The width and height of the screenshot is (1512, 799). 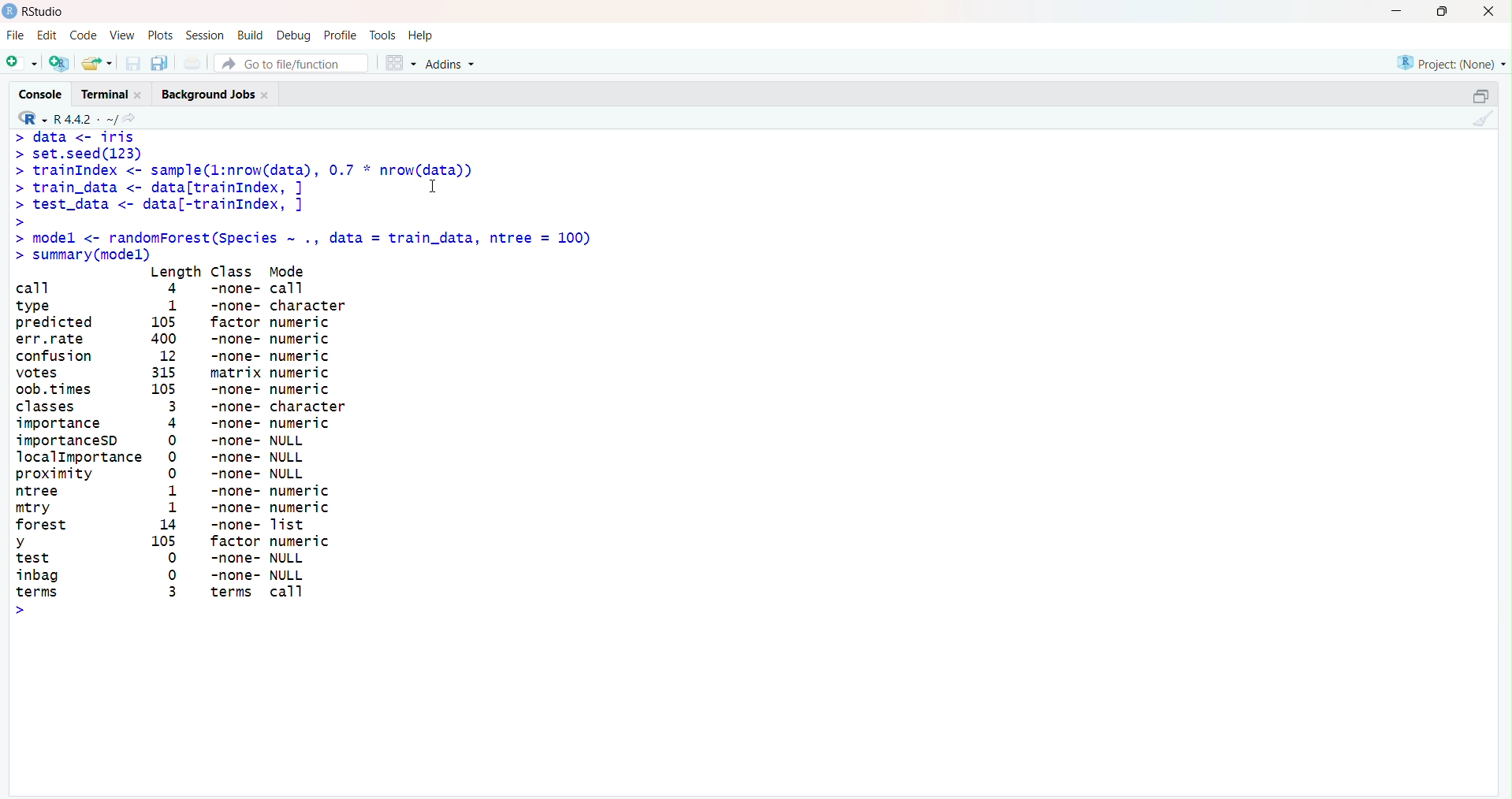 What do you see at coordinates (1481, 120) in the screenshot?
I see `Clear console (Ctrl + L)` at bounding box center [1481, 120].